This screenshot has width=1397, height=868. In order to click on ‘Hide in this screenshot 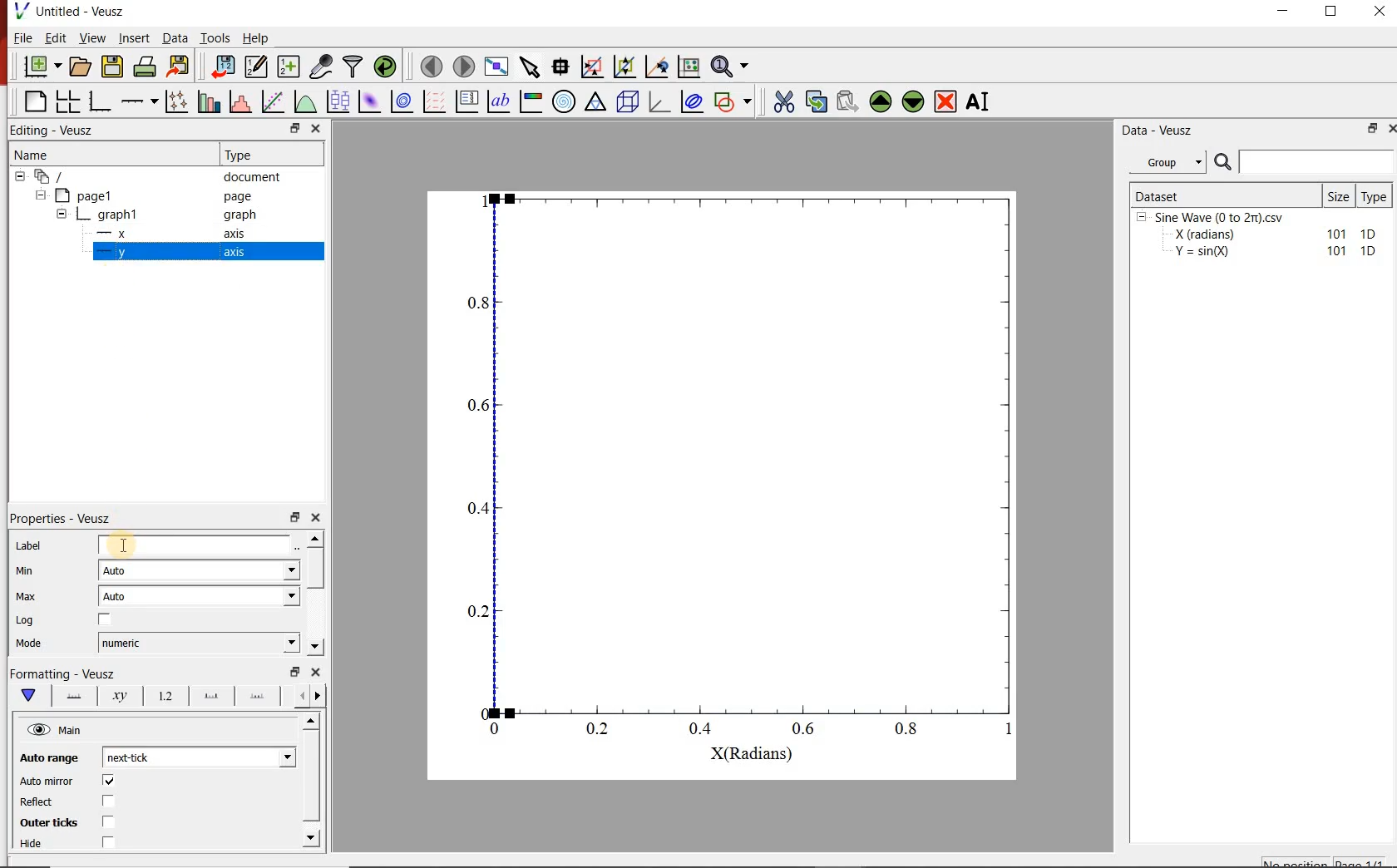, I will do `click(32, 845)`.